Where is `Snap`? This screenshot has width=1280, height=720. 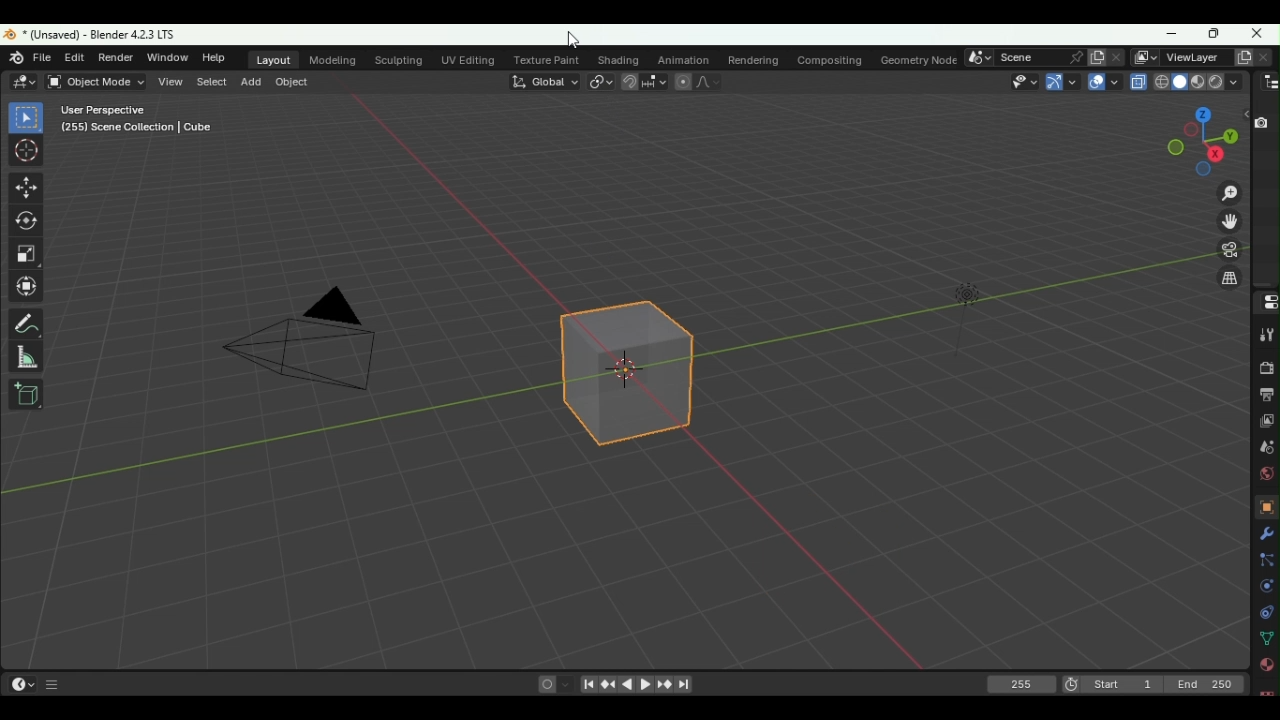 Snap is located at coordinates (628, 83).